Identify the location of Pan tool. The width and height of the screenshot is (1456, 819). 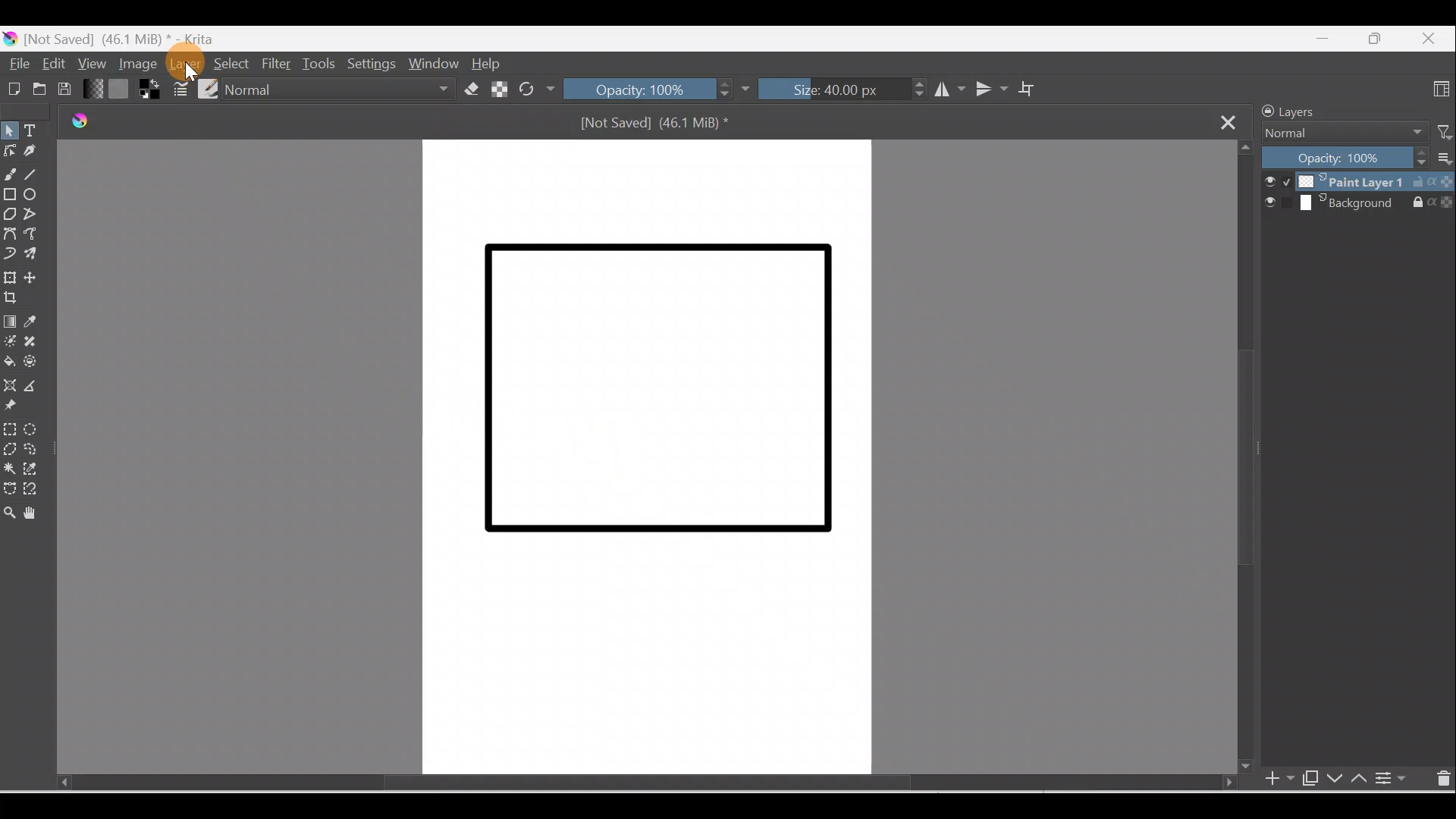
(34, 513).